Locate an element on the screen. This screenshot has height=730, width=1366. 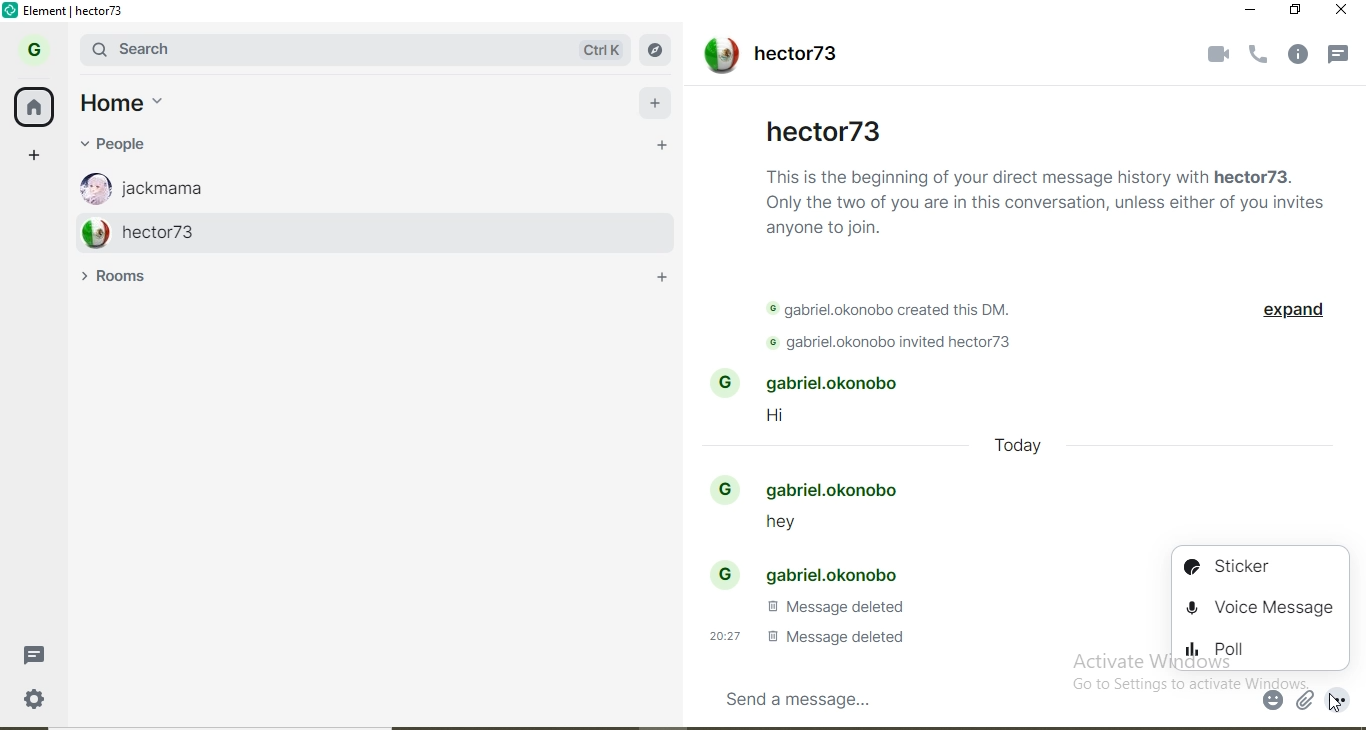
CURSOR is located at coordinates (1334, 703).